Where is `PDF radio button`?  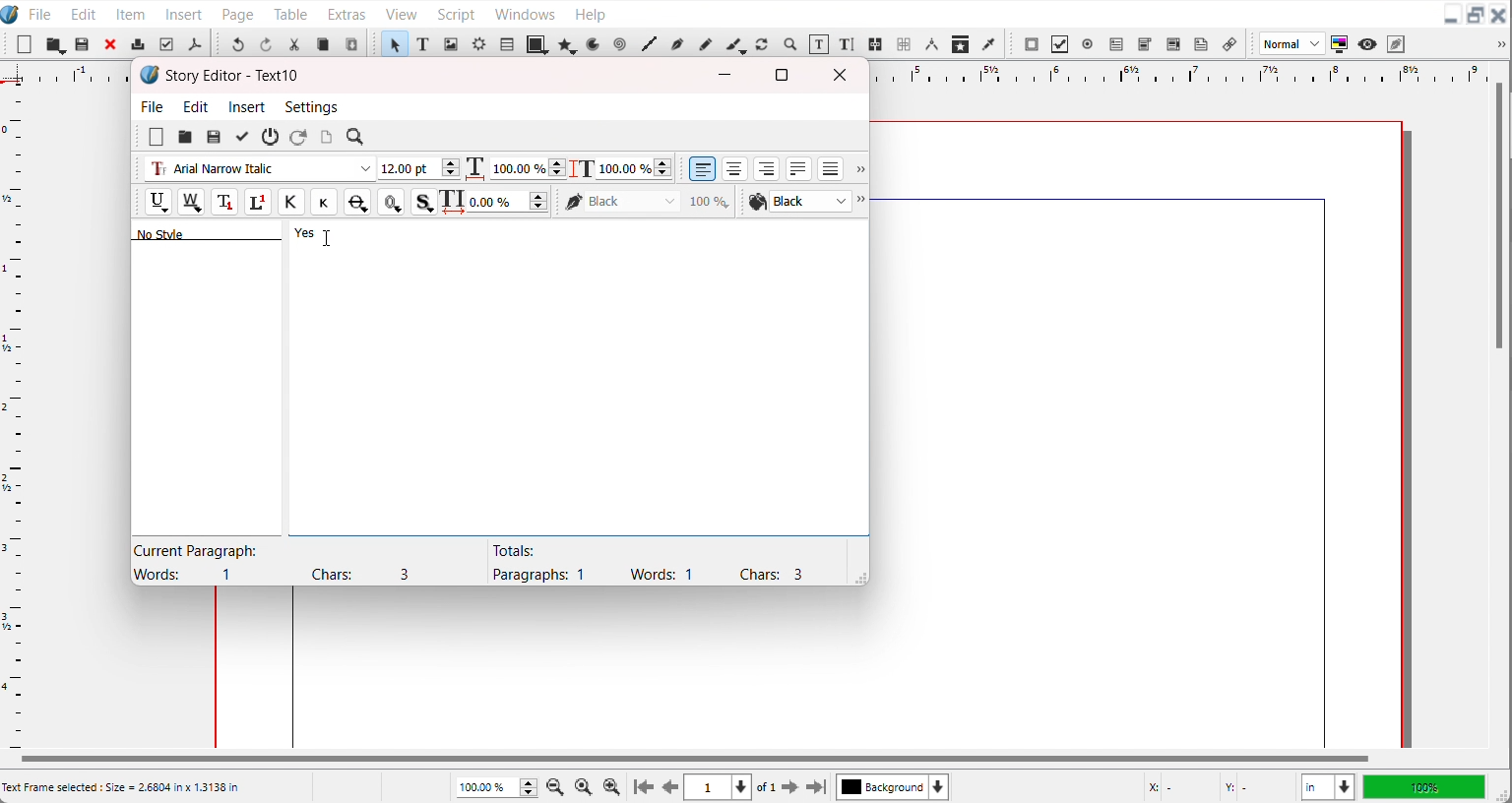
PDF radio button is located at coordinates (1087, 44).